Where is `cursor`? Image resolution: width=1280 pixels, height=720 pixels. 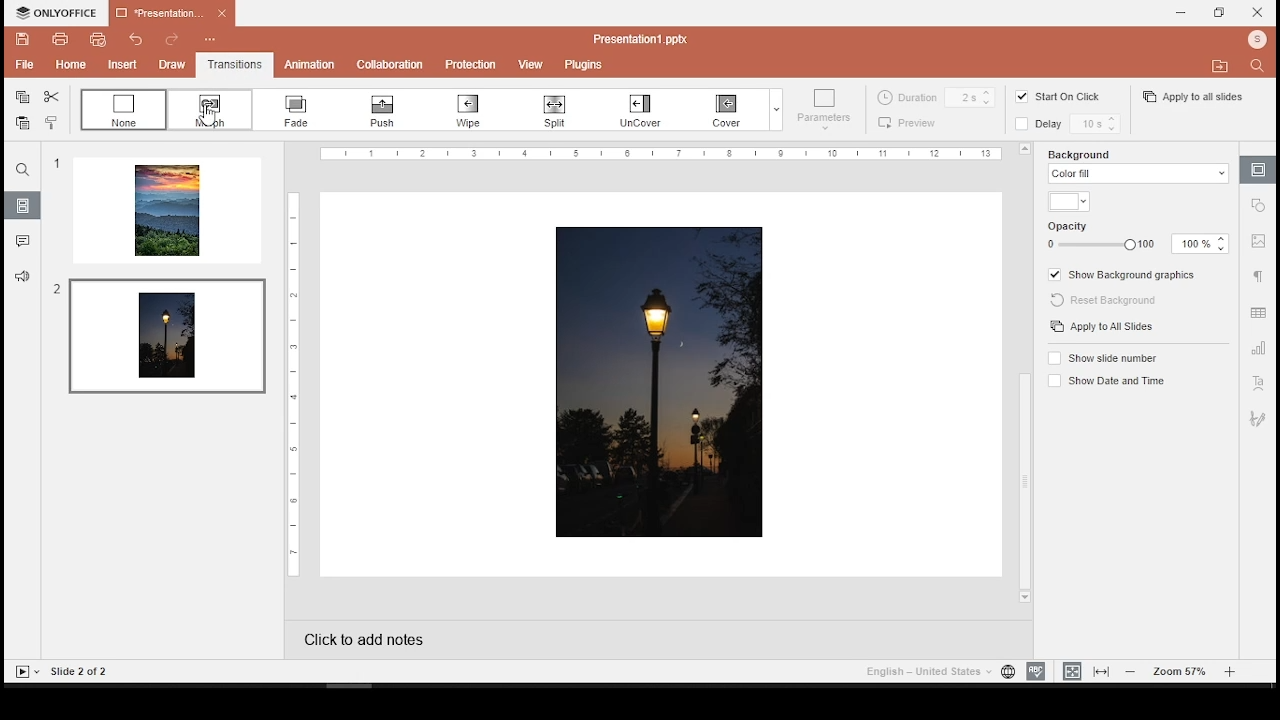
cursor is located at coordinates (208, 117).